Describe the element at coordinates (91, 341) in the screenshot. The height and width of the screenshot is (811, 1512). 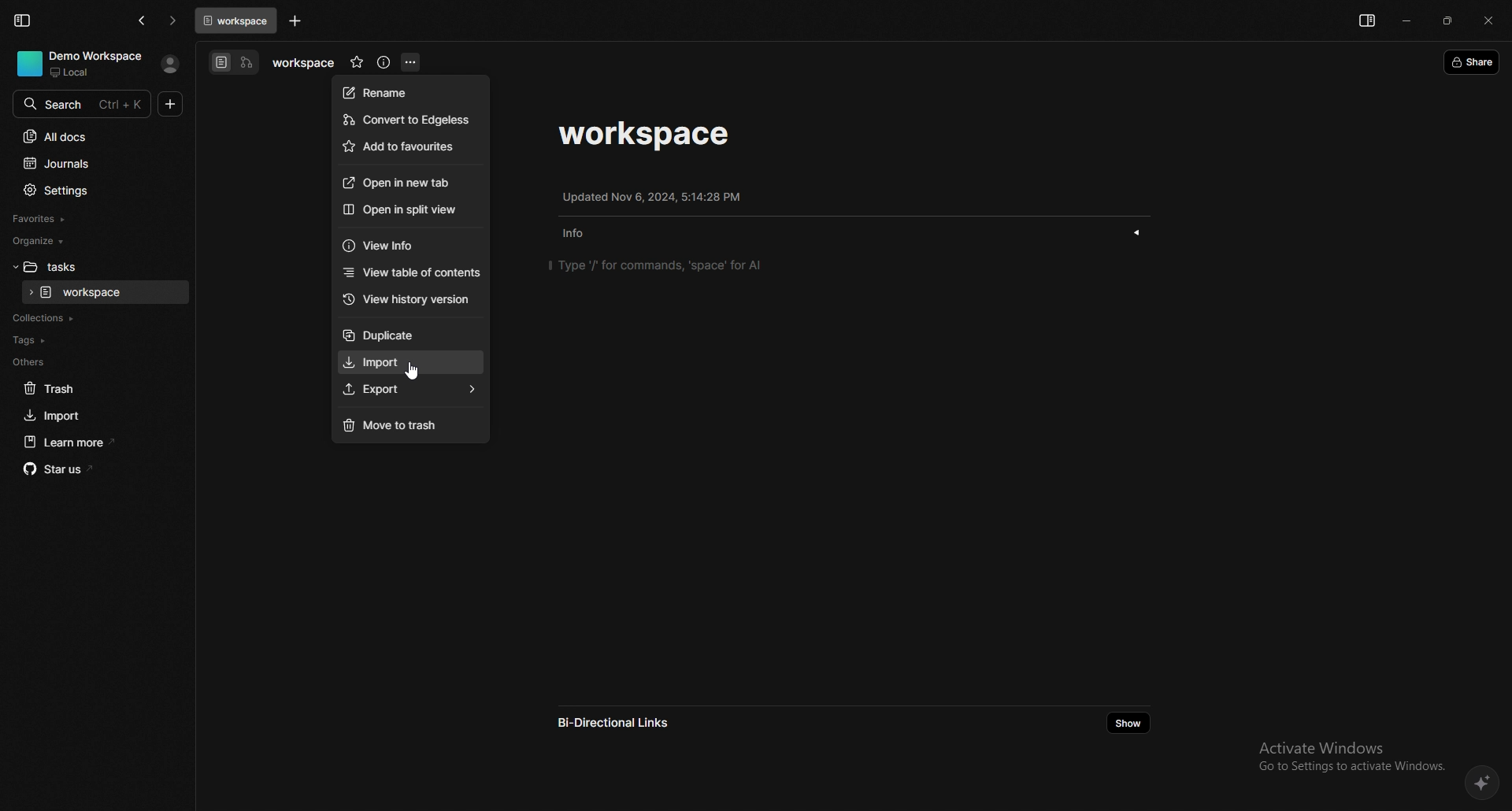
I see `tags` at that location.